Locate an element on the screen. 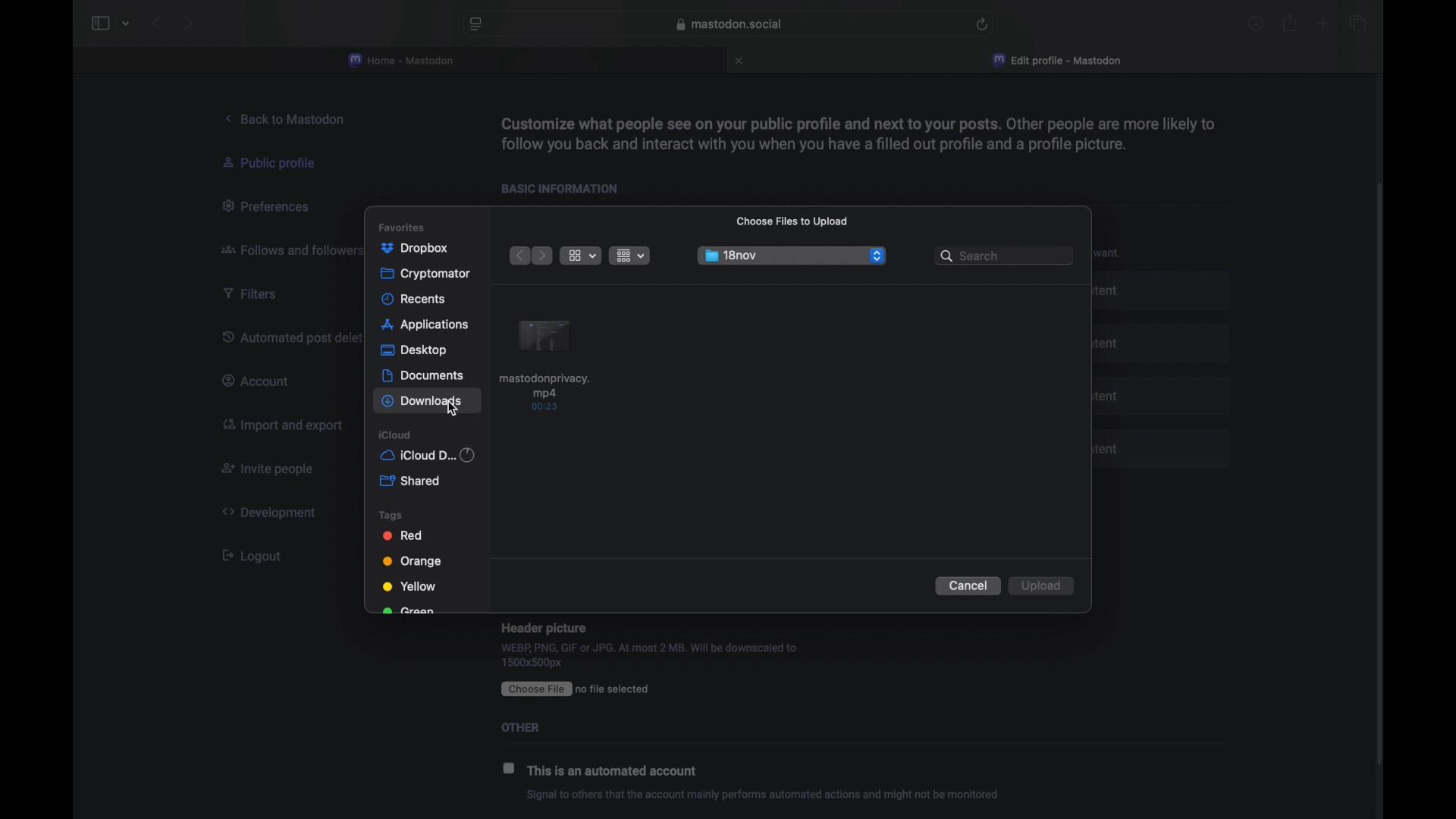  cryptomator is located at coordinates (426, 274).